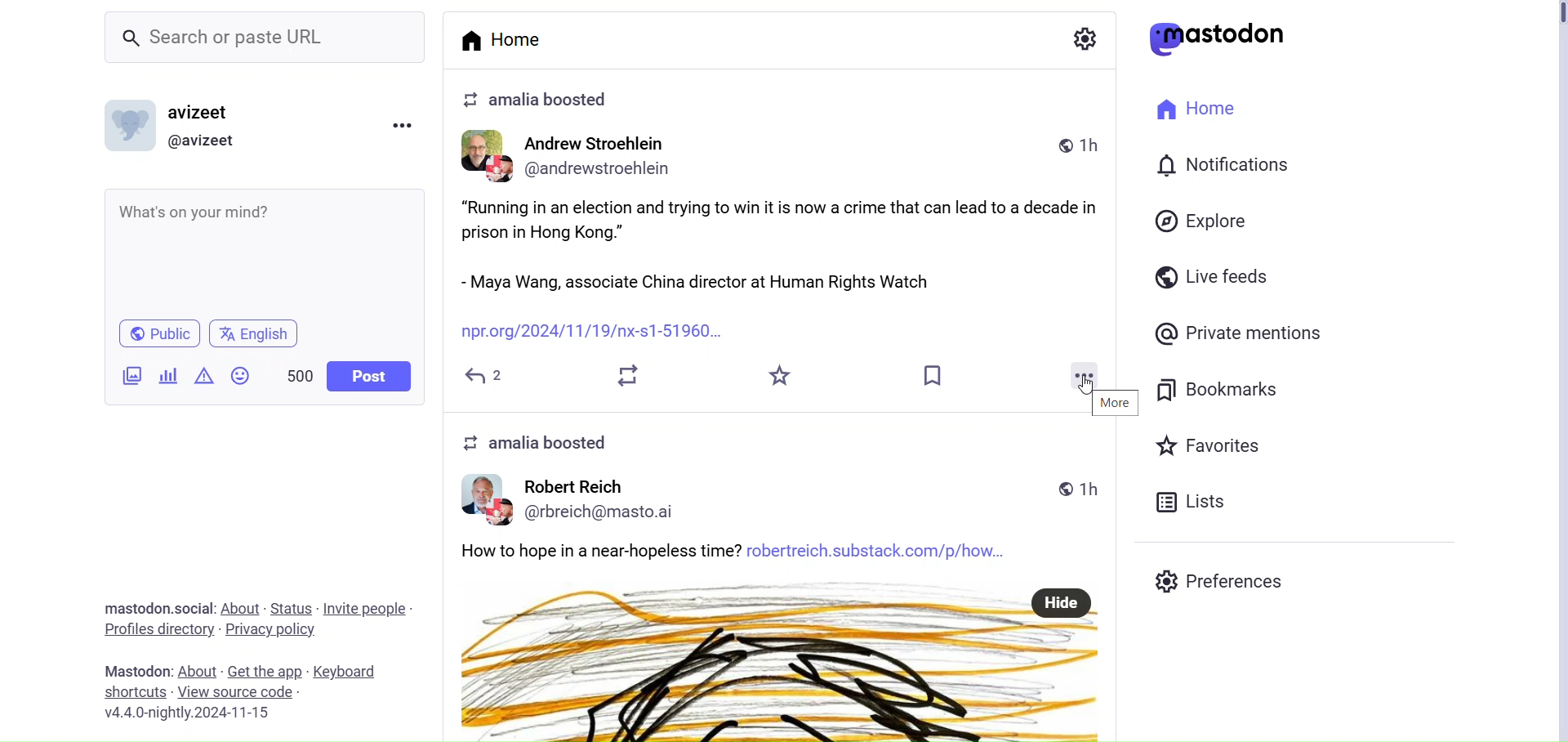  I want to click on link, so click(884, 551).